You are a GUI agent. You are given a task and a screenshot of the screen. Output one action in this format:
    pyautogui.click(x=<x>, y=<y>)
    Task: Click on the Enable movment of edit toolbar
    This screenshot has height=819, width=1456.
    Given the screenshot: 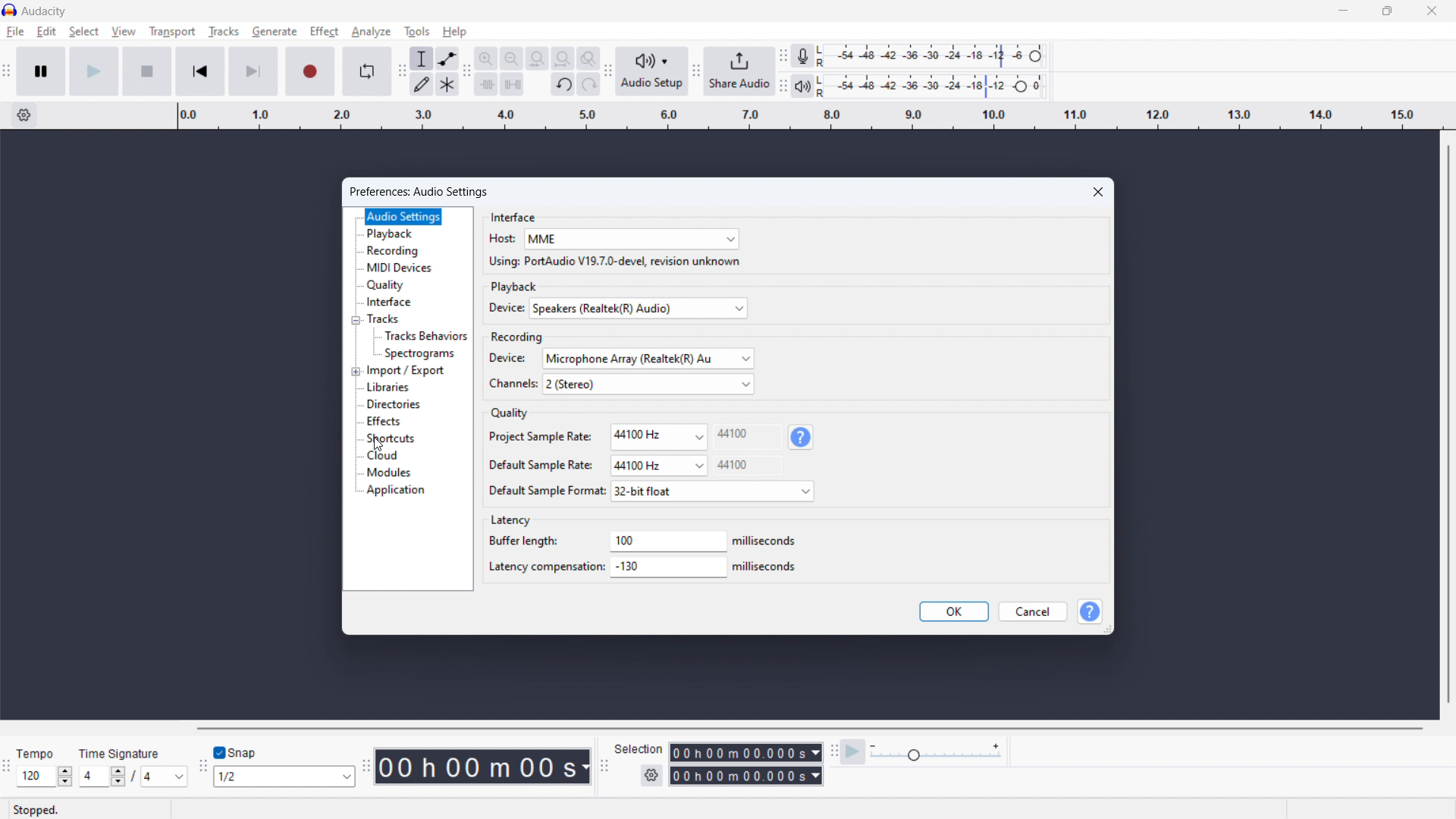 What is the action you would take?
    pyautogui.click(x=467, y=71)
    